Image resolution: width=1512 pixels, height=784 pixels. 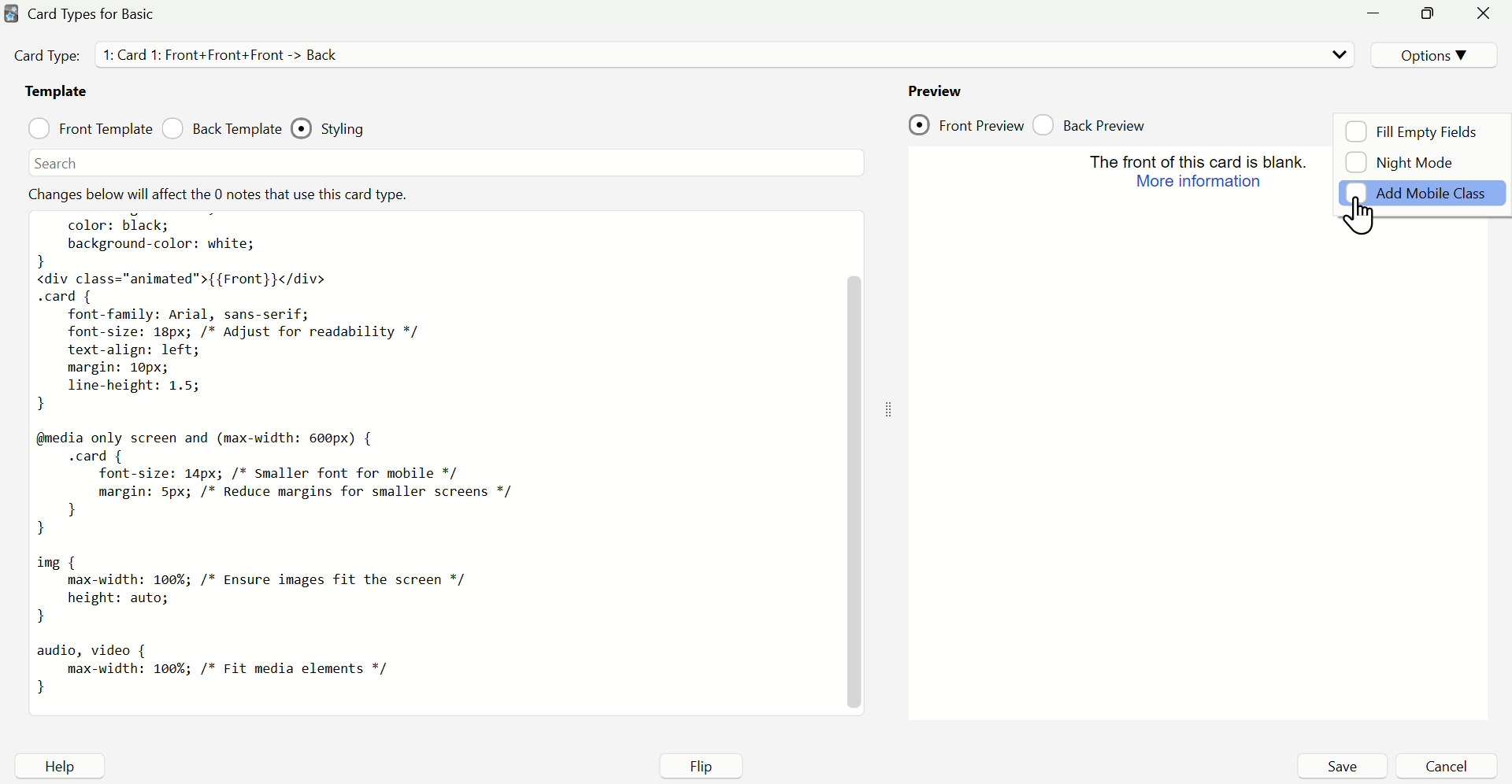 What do you see at coordinates (1097, 122) in the screenshot?
I see `Back Preview` at bounding box center [1097, 122].